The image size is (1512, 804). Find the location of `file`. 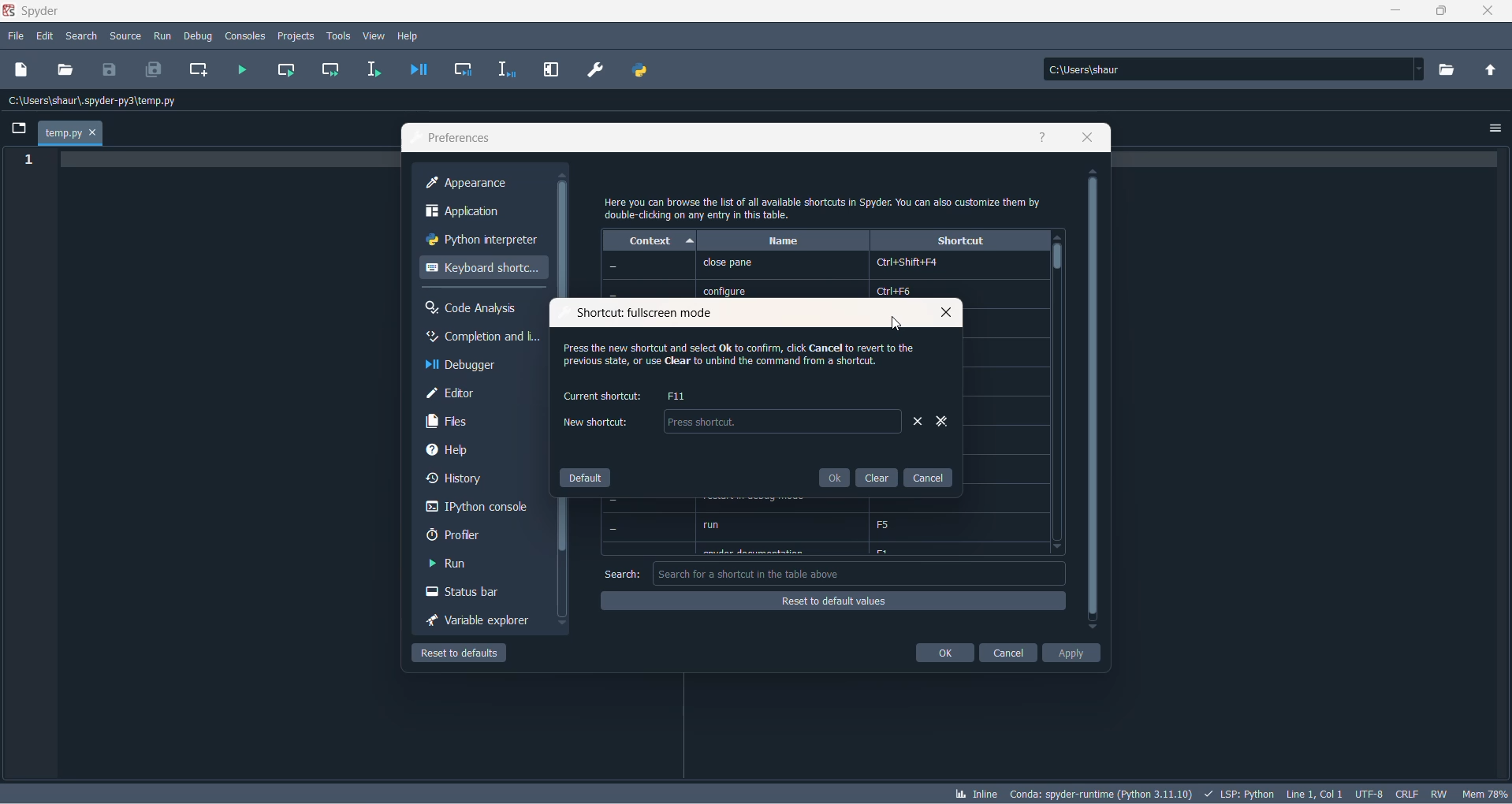

file is located at coordinates (15, 37).